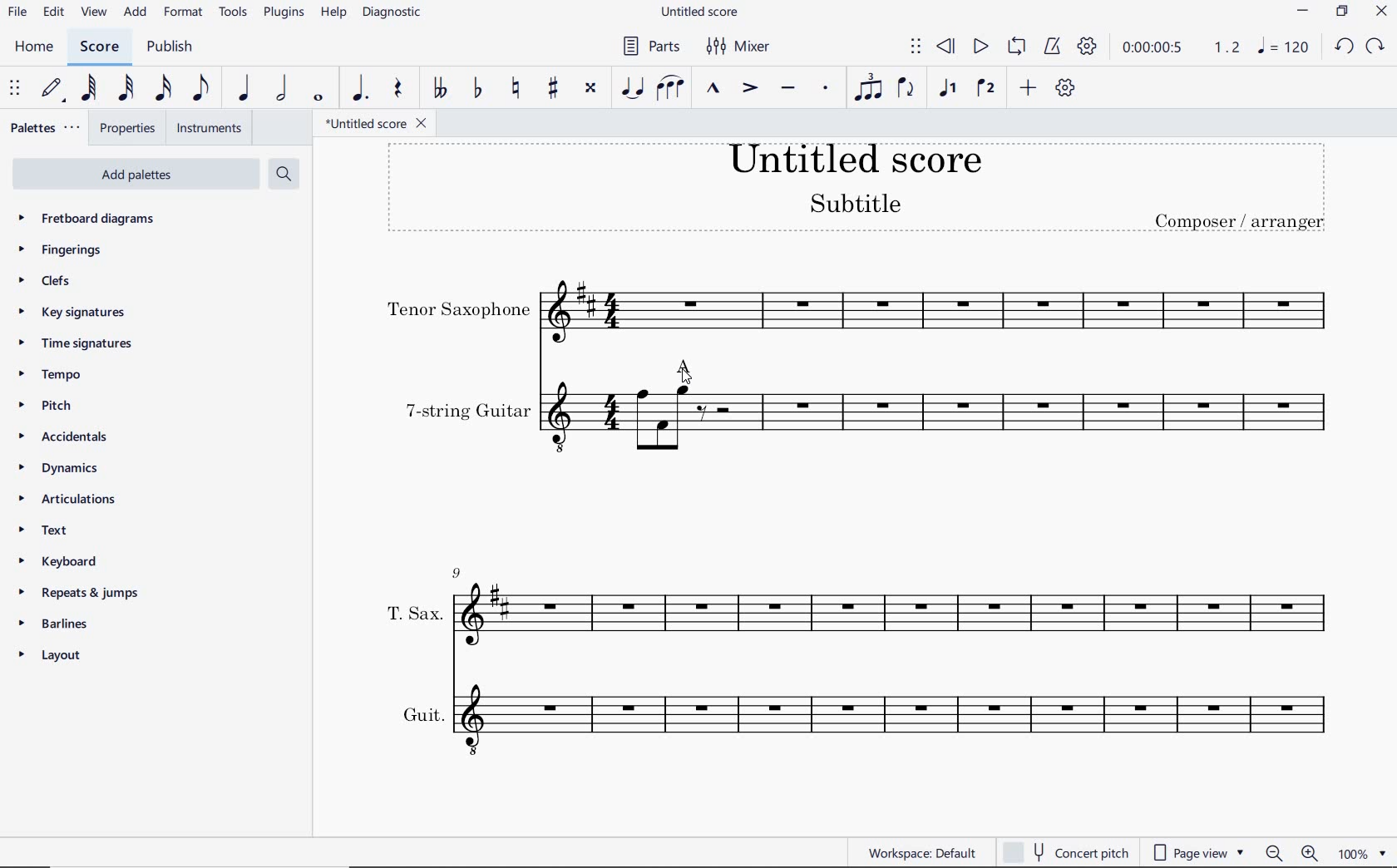  Describe the element at coordinates (161, 89) in the screenshot. I see `16TH NOTE` at that location.